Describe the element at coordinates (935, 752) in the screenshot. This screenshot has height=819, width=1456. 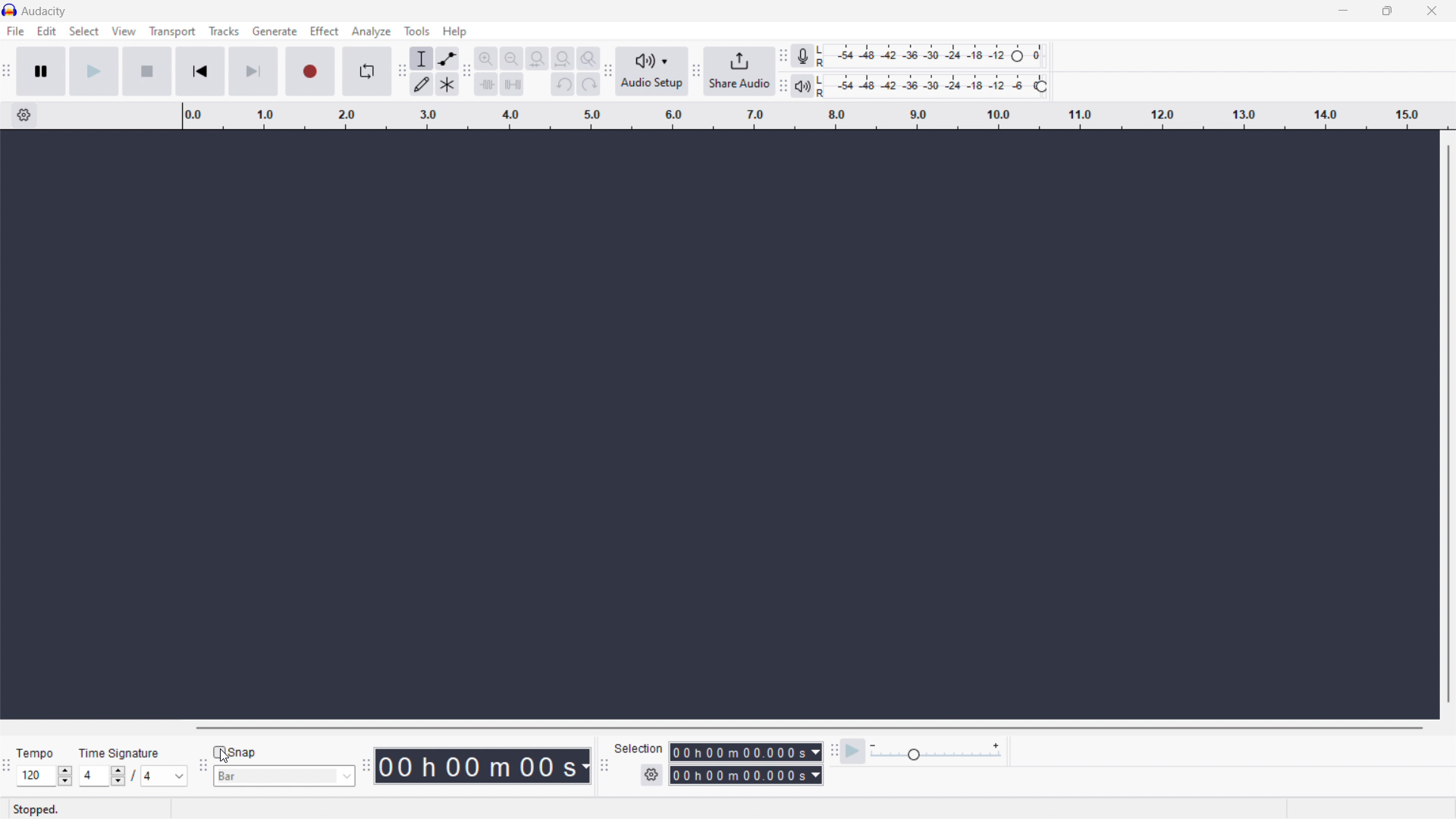
I see `playback meter` at that location.